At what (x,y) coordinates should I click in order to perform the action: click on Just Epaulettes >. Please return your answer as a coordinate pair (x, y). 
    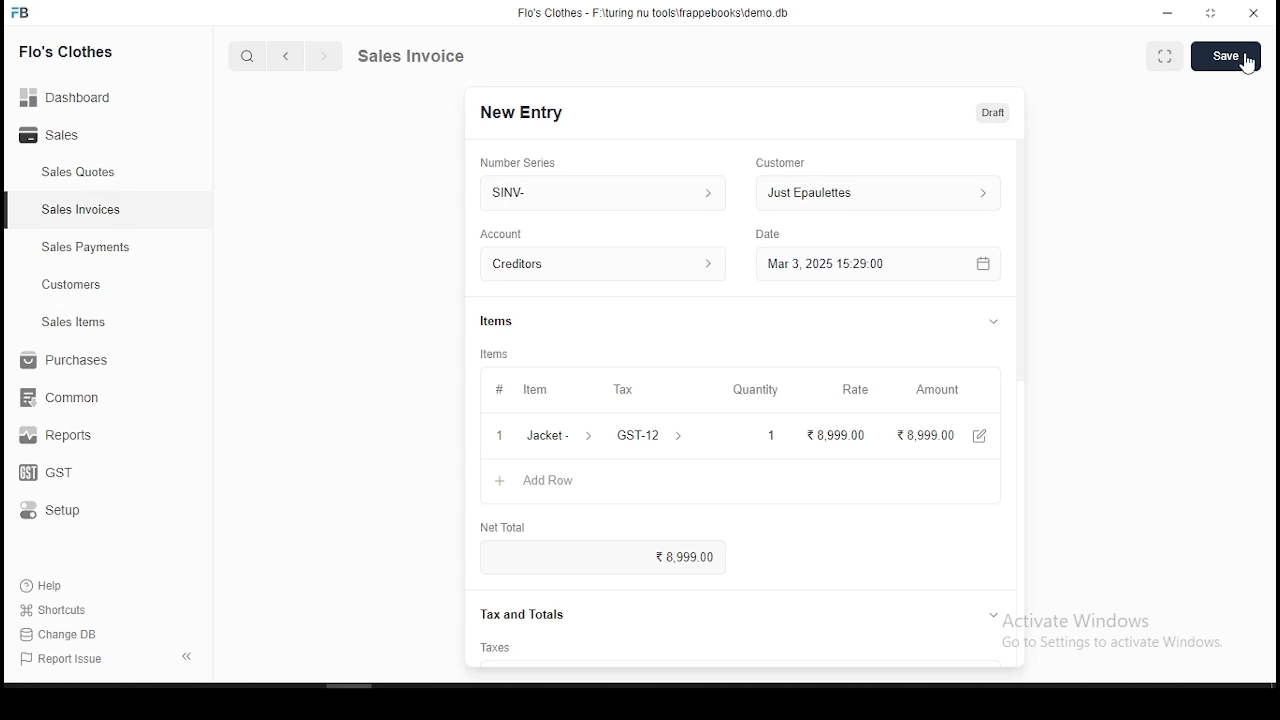
    Looking at the image, I should click on (883, 195).